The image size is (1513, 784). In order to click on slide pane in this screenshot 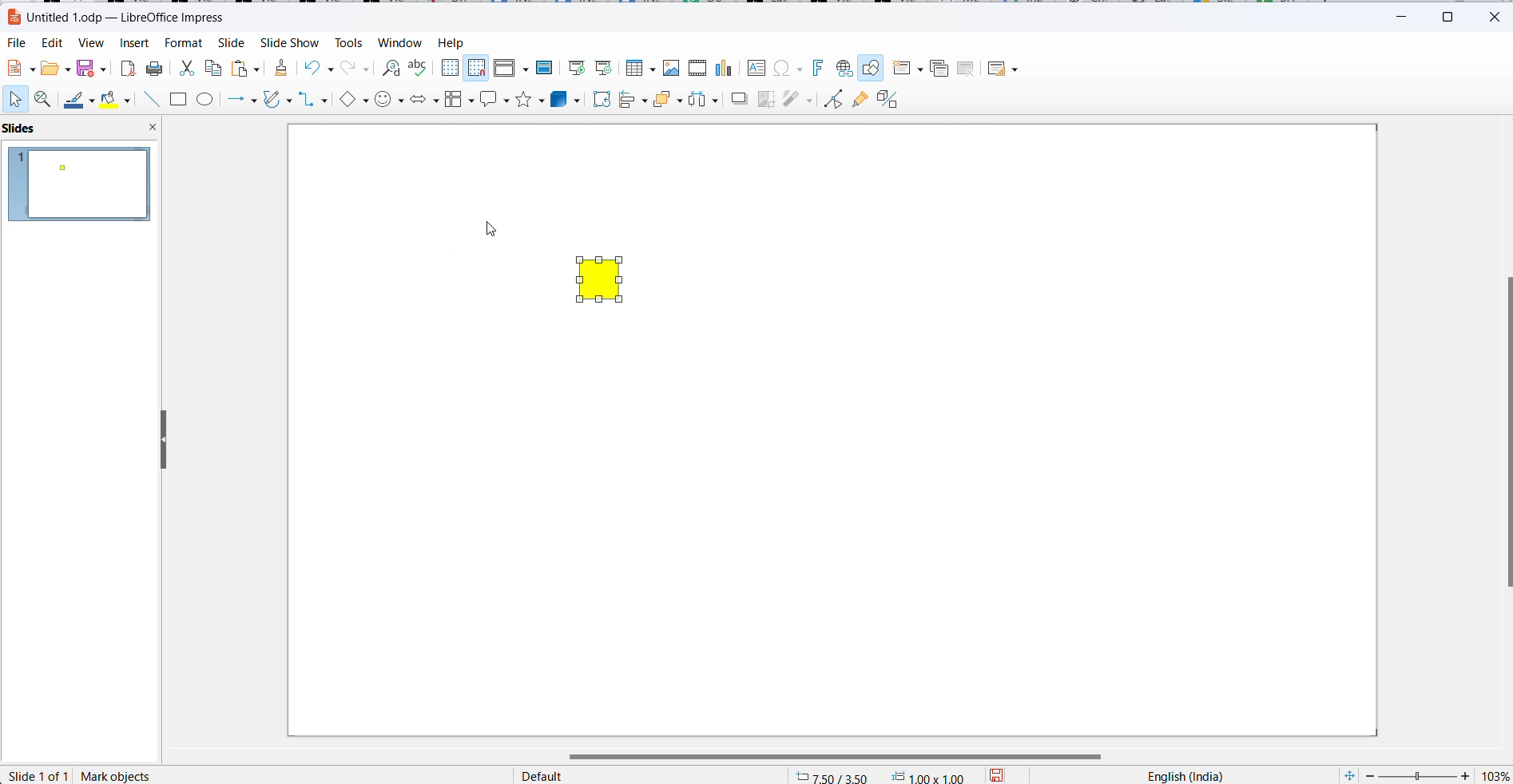, I will do `click(36, 129)`.